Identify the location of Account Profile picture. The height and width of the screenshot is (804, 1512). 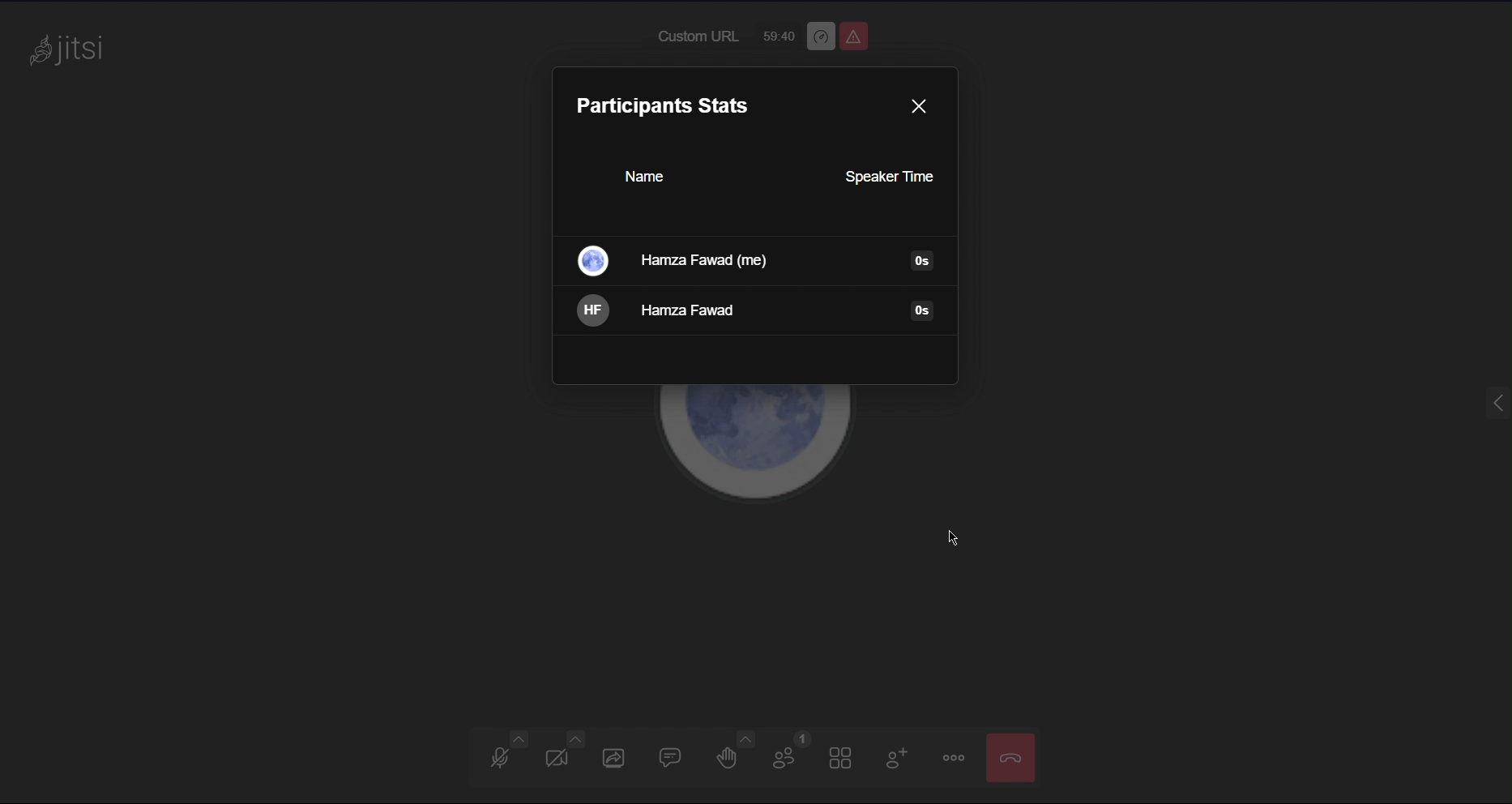
(752, 448).